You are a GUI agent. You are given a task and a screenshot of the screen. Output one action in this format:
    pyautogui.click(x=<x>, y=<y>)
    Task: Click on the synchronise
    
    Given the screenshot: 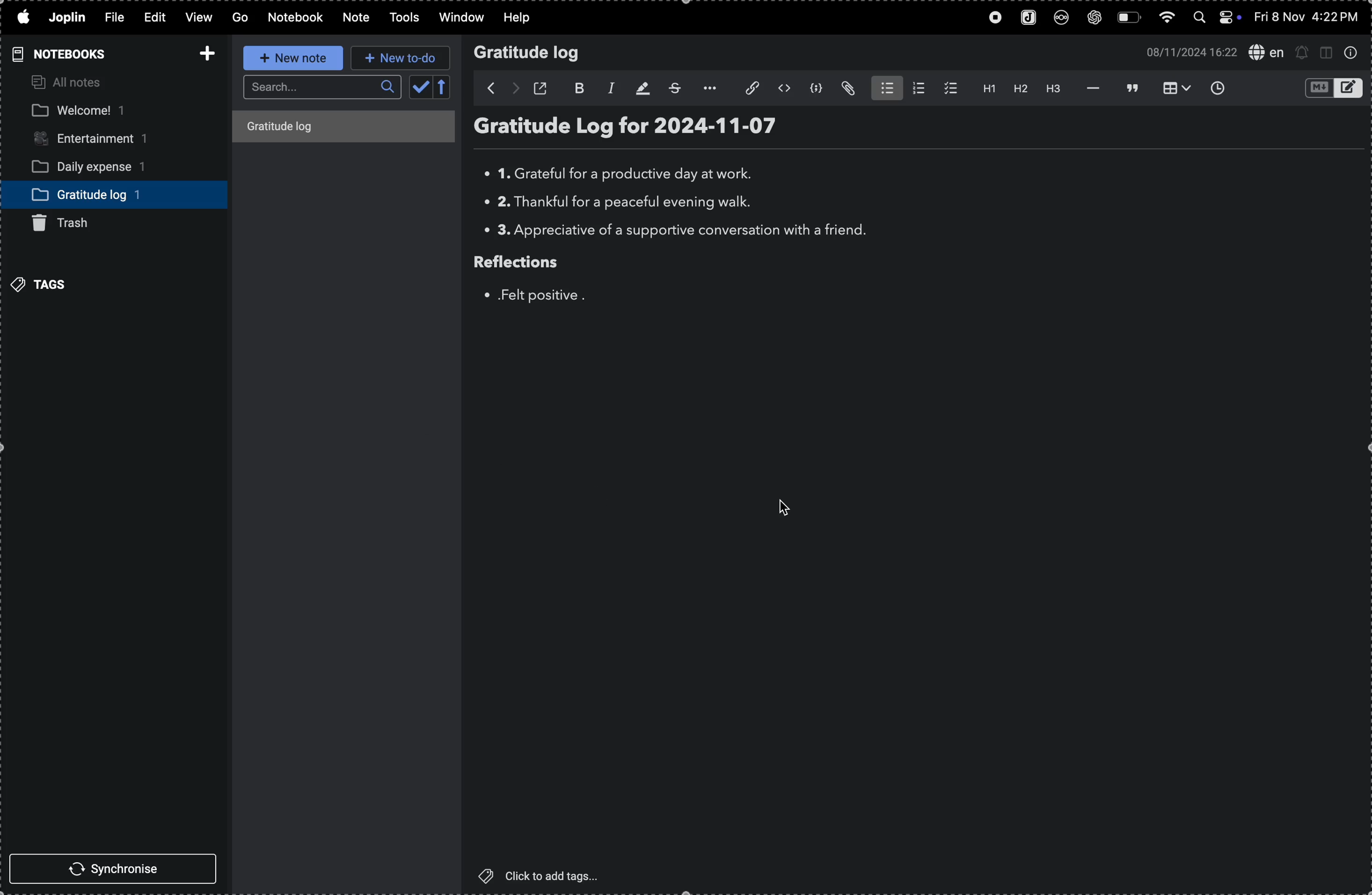 What is the action you would take?
    pyautogui.click(x=116, y=869)
    